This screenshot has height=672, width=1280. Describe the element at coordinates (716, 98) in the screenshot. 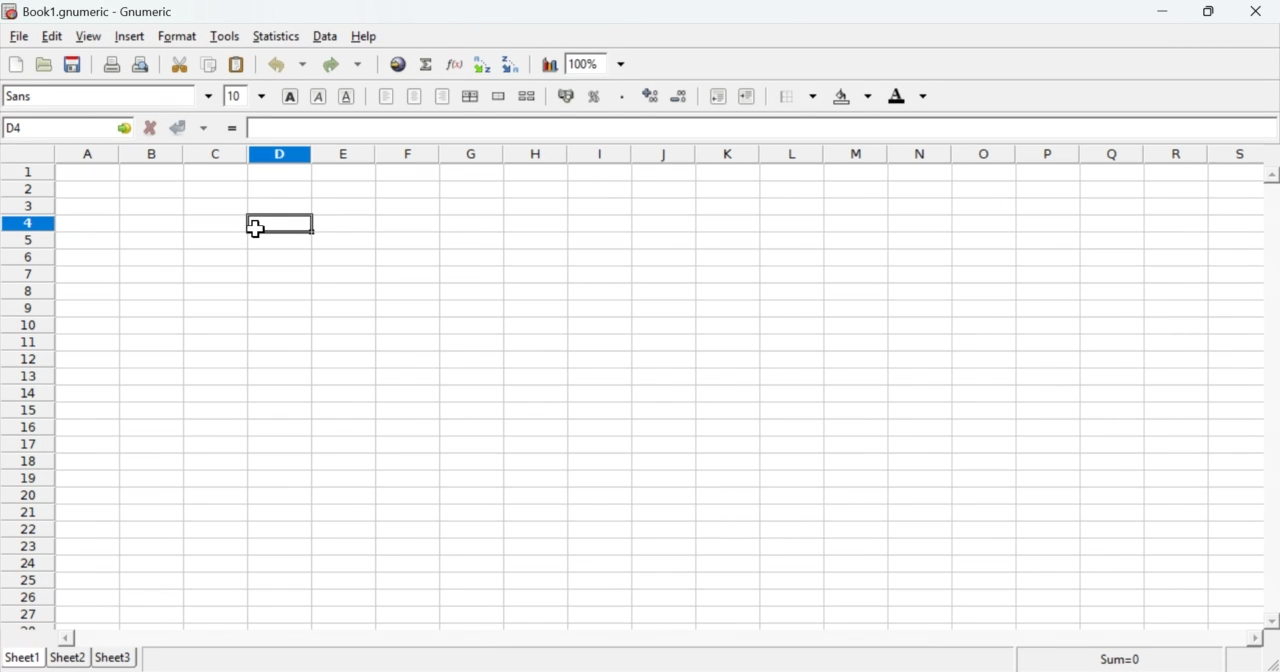

I see `Decrease Indent` at that location.